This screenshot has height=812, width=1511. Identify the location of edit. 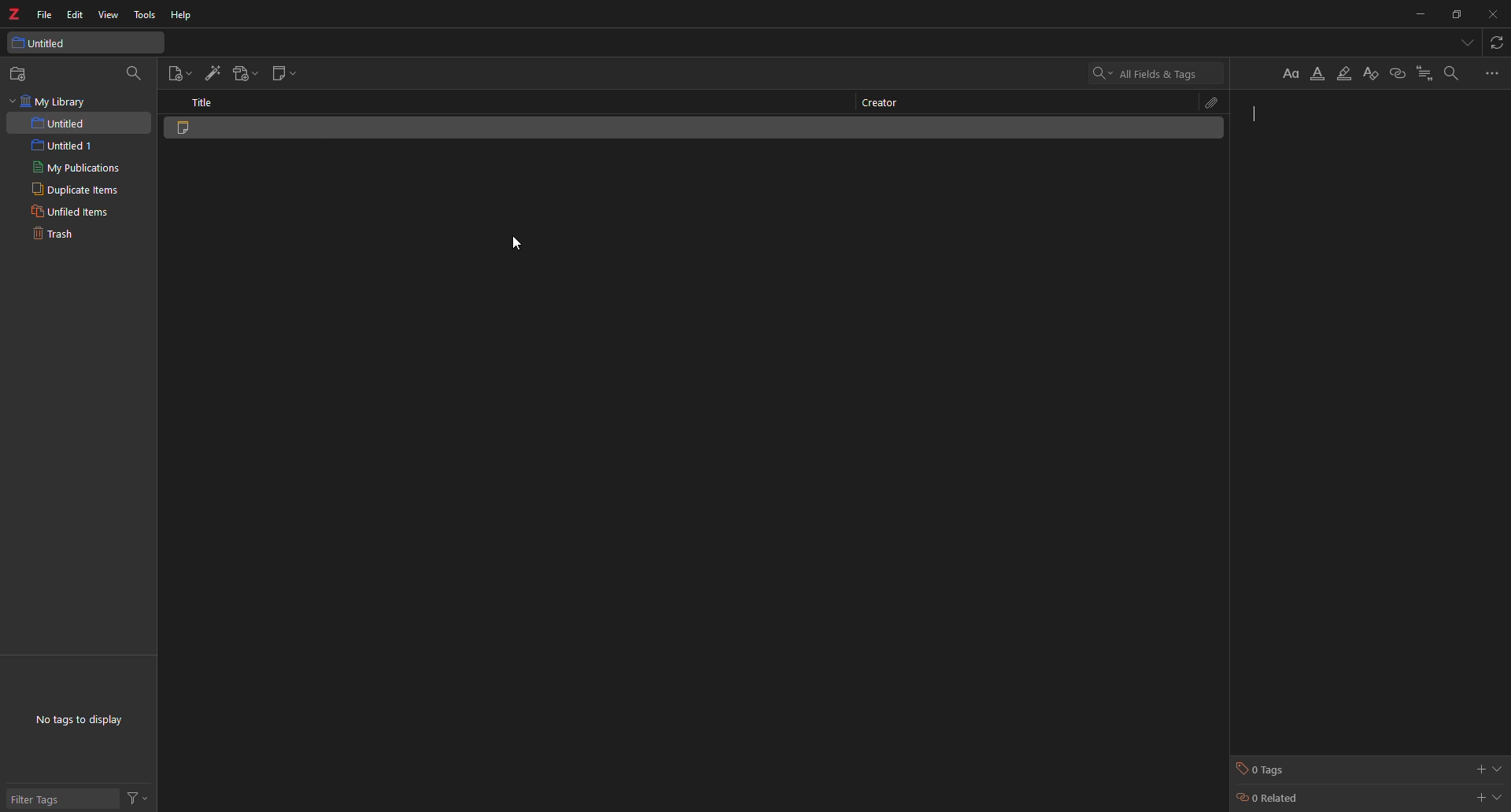
(77, 14).